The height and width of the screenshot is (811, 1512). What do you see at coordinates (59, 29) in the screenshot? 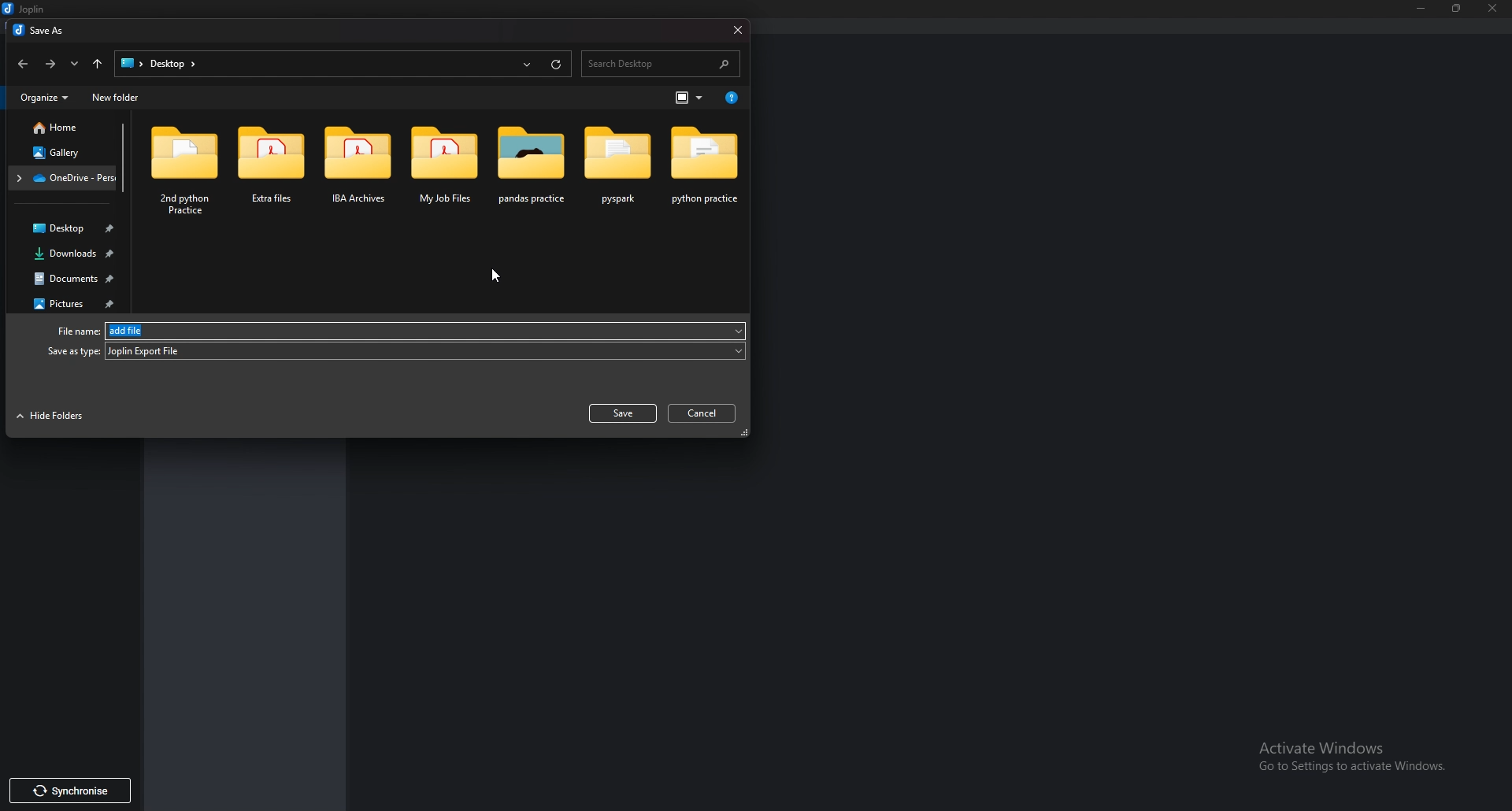
I see `save as` at bounding box center [59, 29].